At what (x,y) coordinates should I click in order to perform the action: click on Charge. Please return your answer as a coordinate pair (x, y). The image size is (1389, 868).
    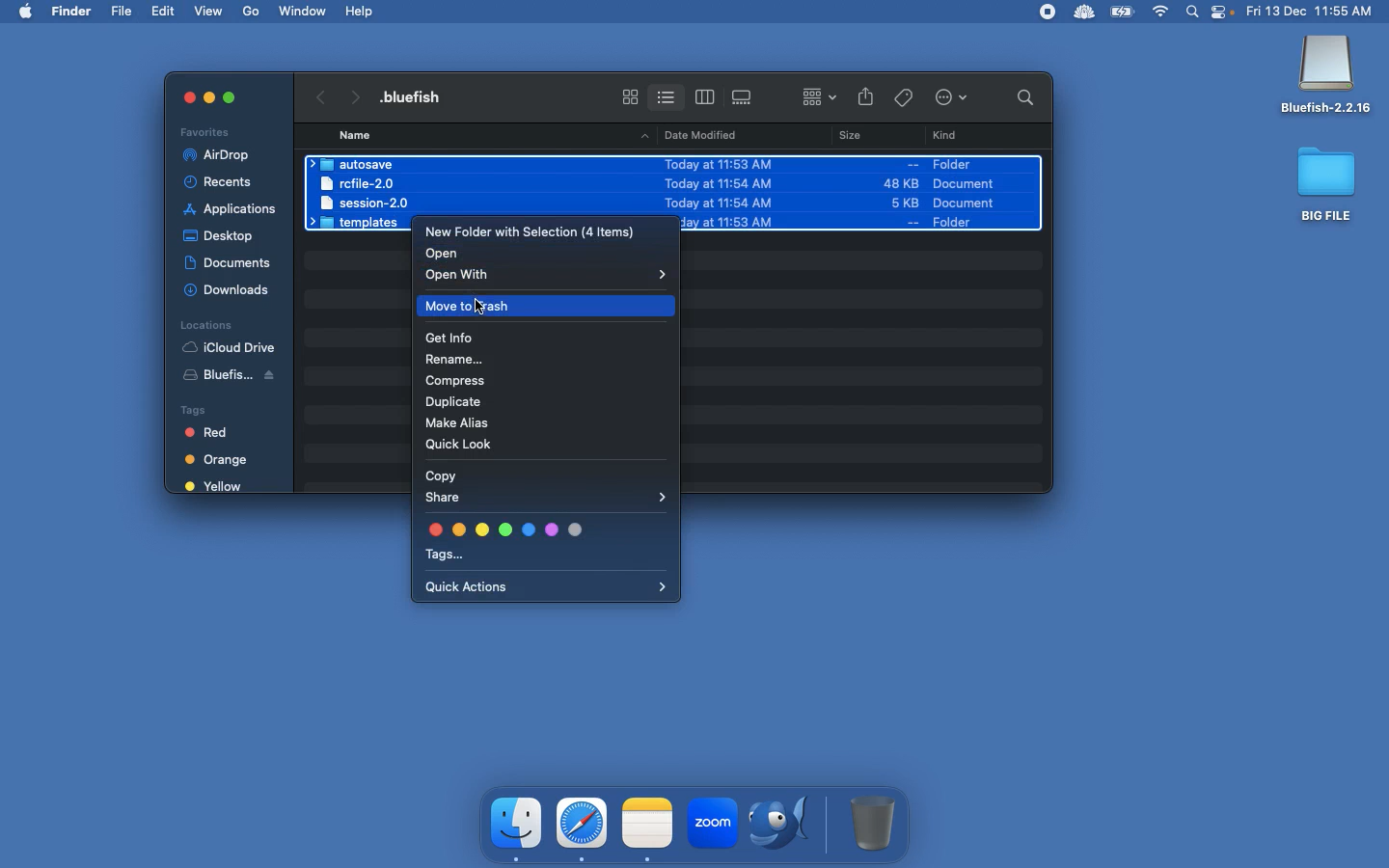
    Looking at the image, I should click on (1122, 14).